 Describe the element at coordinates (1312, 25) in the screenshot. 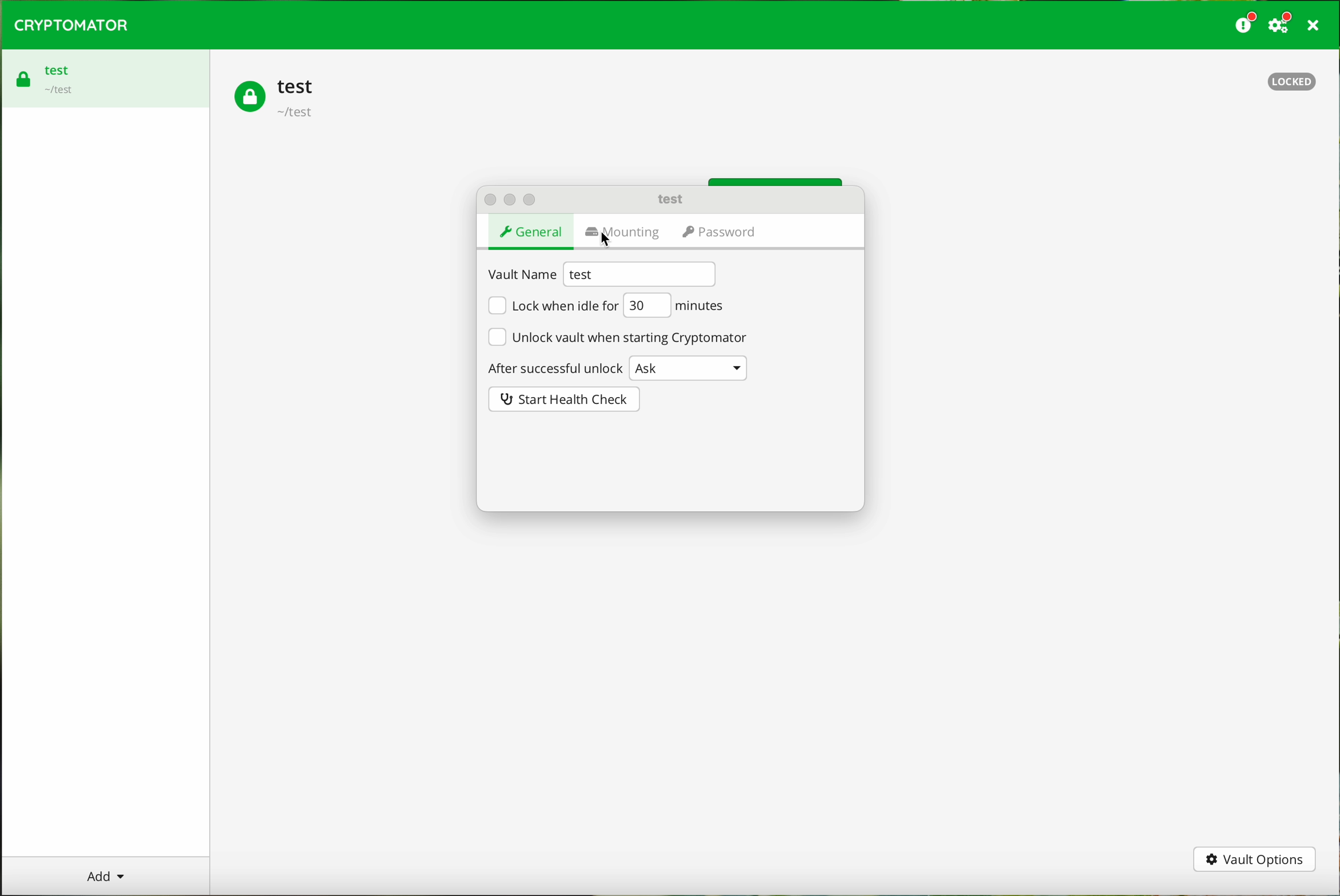

I see `close` at that location.